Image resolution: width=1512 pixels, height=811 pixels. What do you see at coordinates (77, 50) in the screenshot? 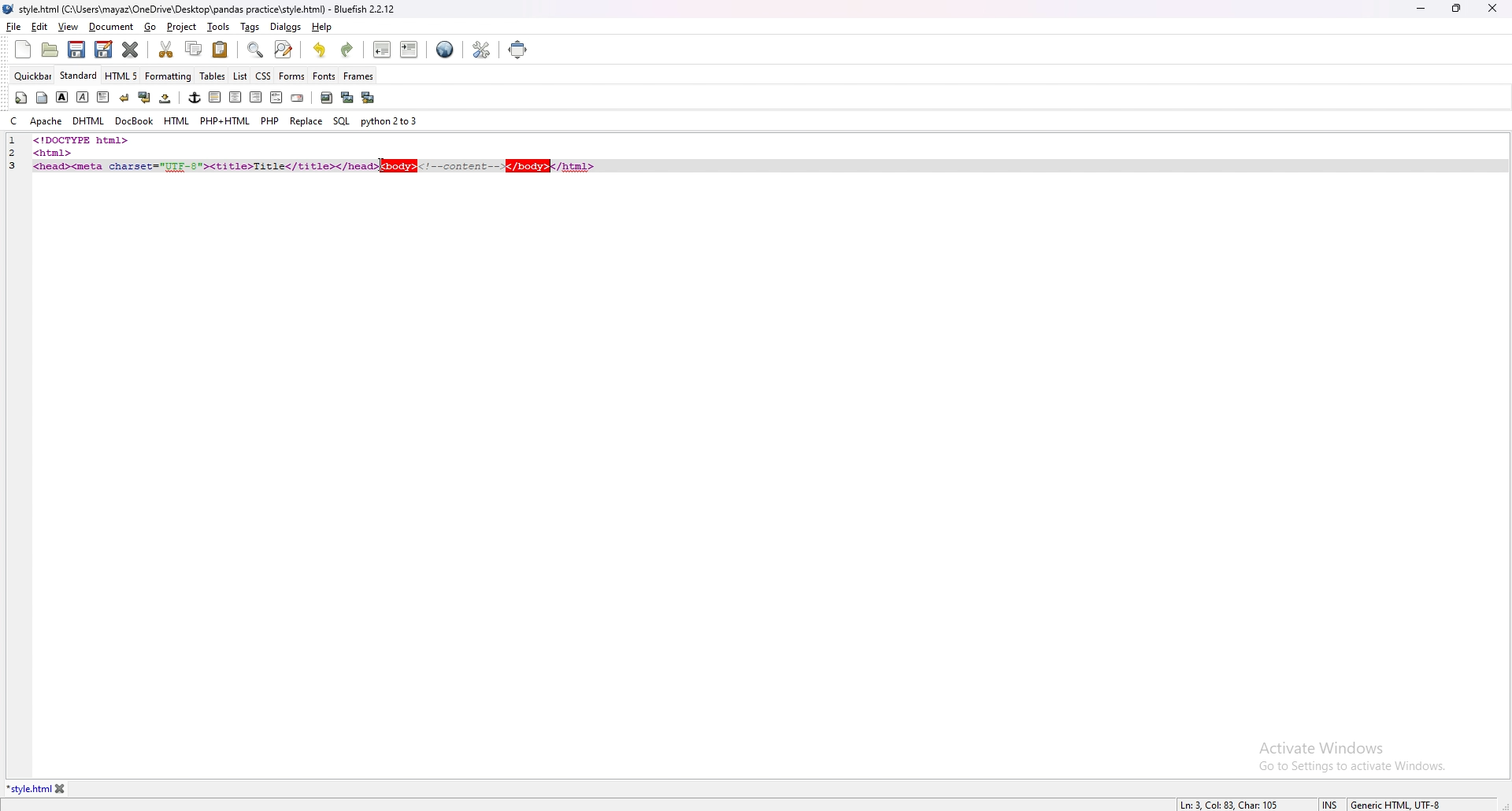
I see `save` at bounding box center [77, 50].